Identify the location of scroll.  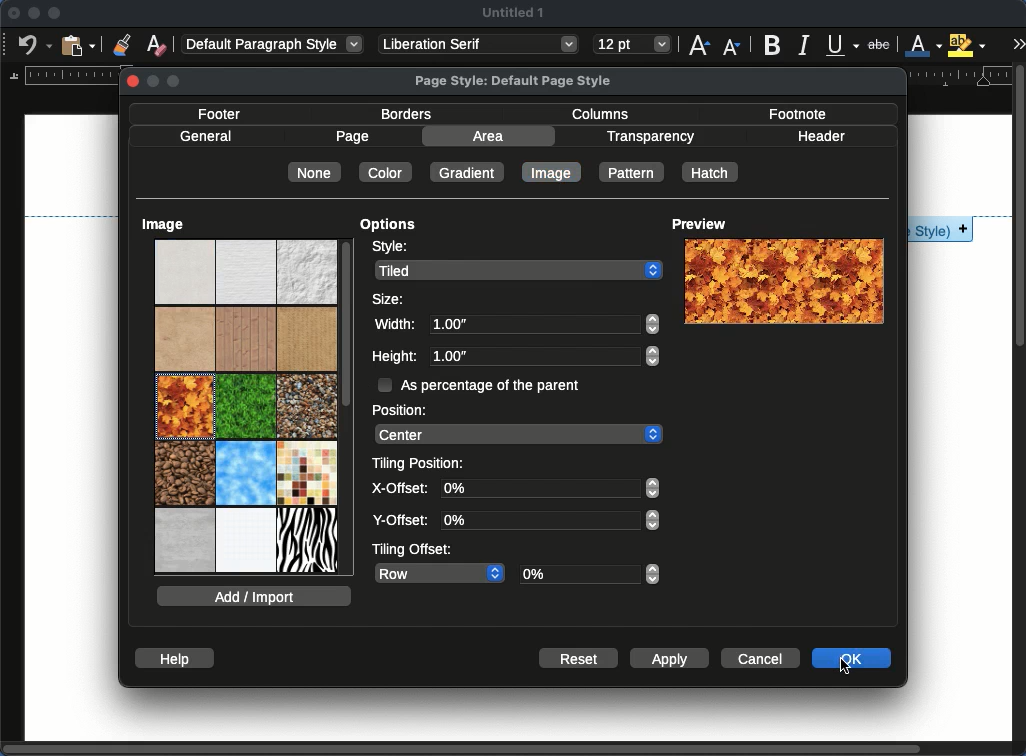
(346, 403).